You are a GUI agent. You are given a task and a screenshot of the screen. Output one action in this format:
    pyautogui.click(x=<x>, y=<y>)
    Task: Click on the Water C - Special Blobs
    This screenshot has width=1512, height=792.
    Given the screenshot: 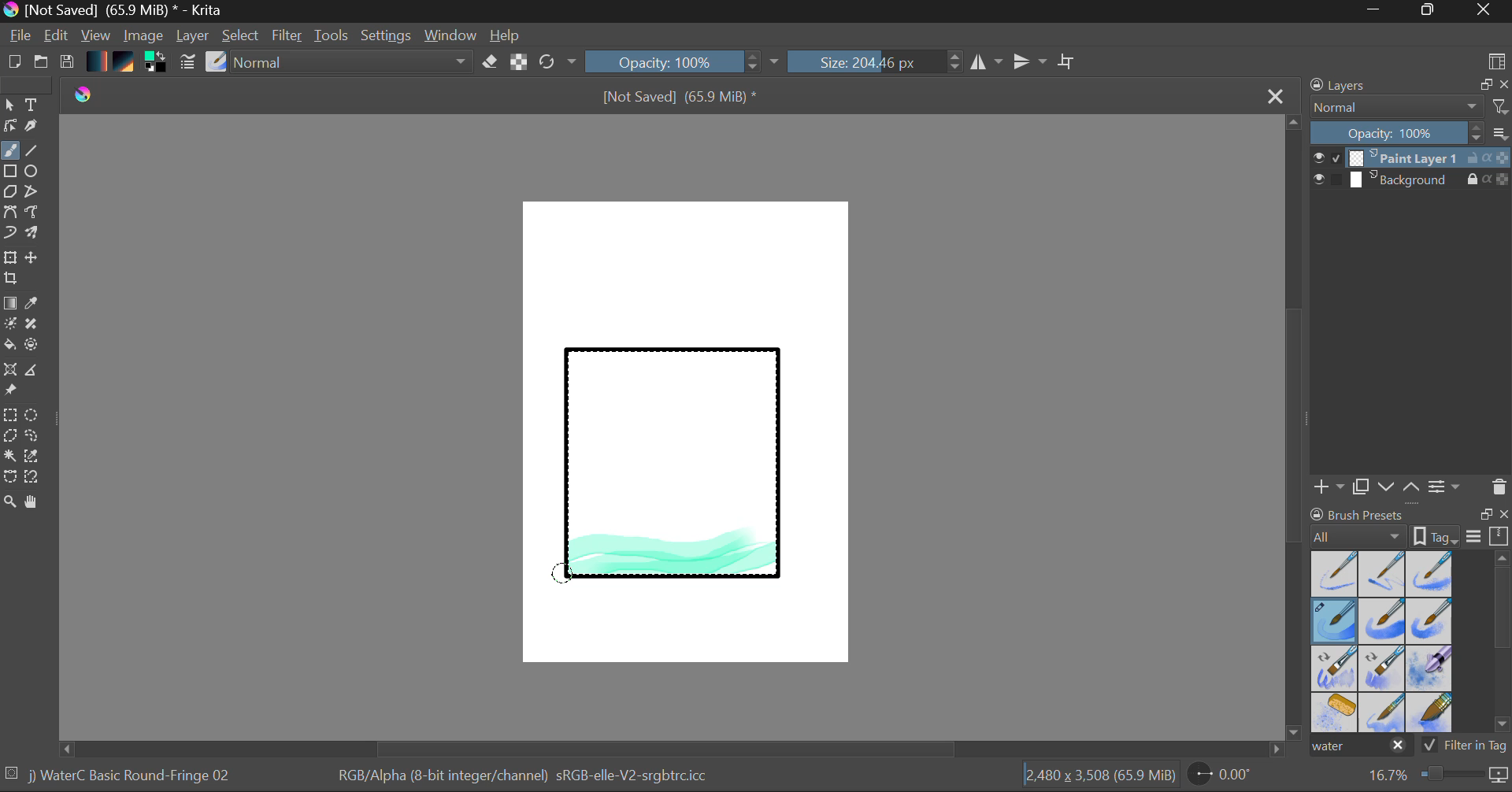 What is the action you would take?
    pyautogui.click(x=1430, y=670)
    